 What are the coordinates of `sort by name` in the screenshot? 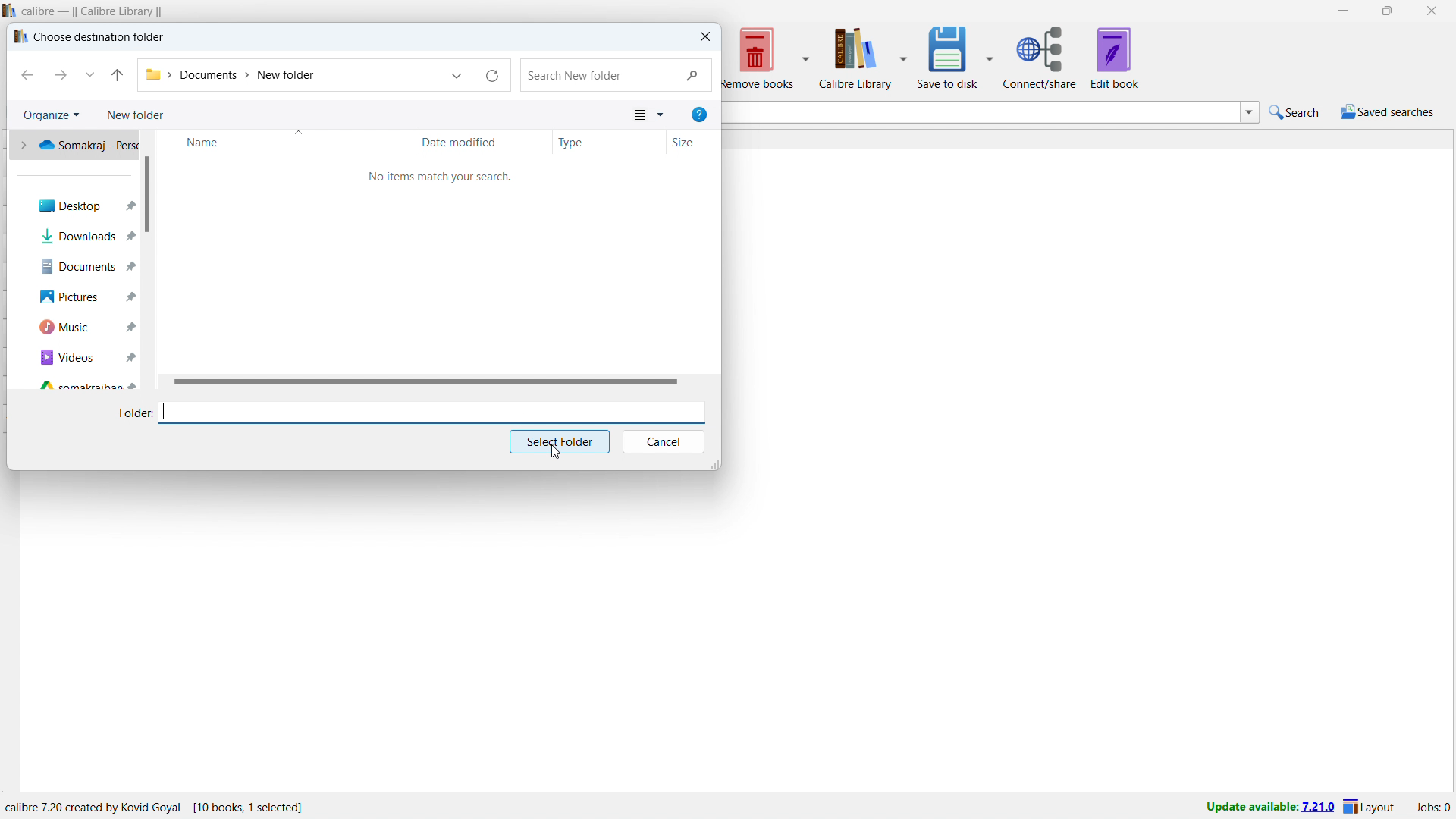 It's located at (284, 142).